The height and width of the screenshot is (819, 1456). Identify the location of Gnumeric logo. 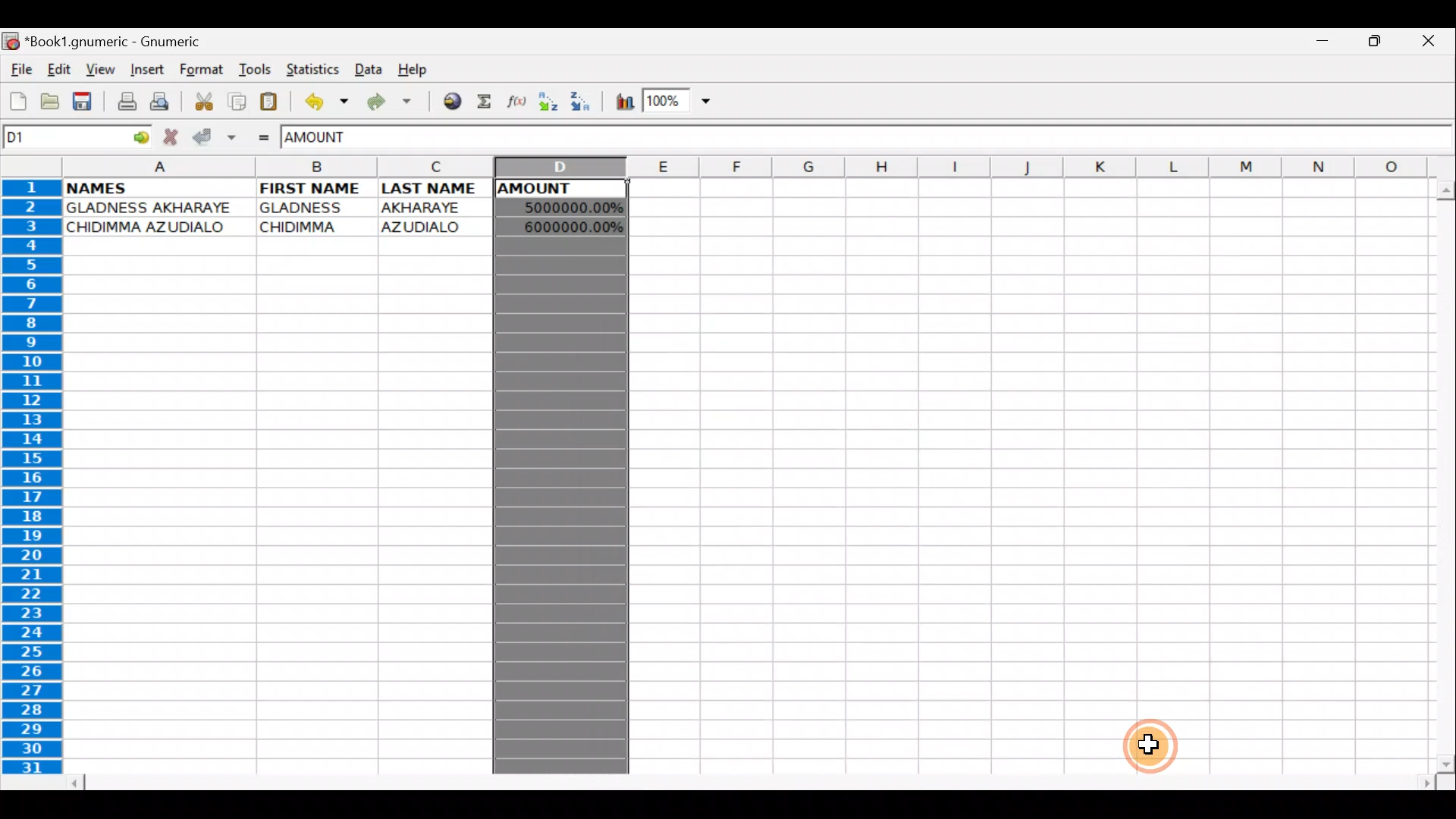
(11, 41).